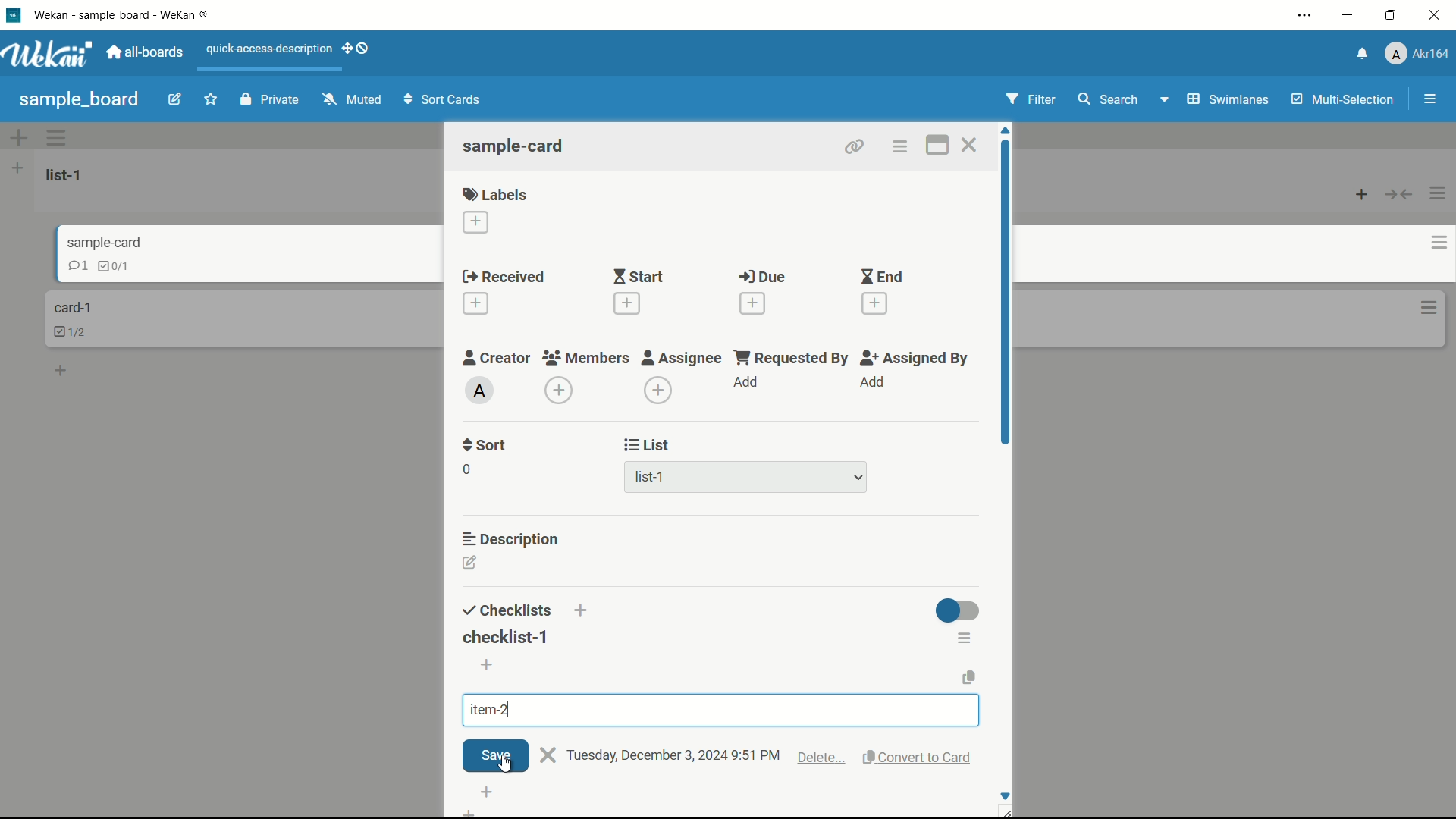 The height and width of the screenshot is (819, 1456). I want to click on card actions, so click(900, 146).